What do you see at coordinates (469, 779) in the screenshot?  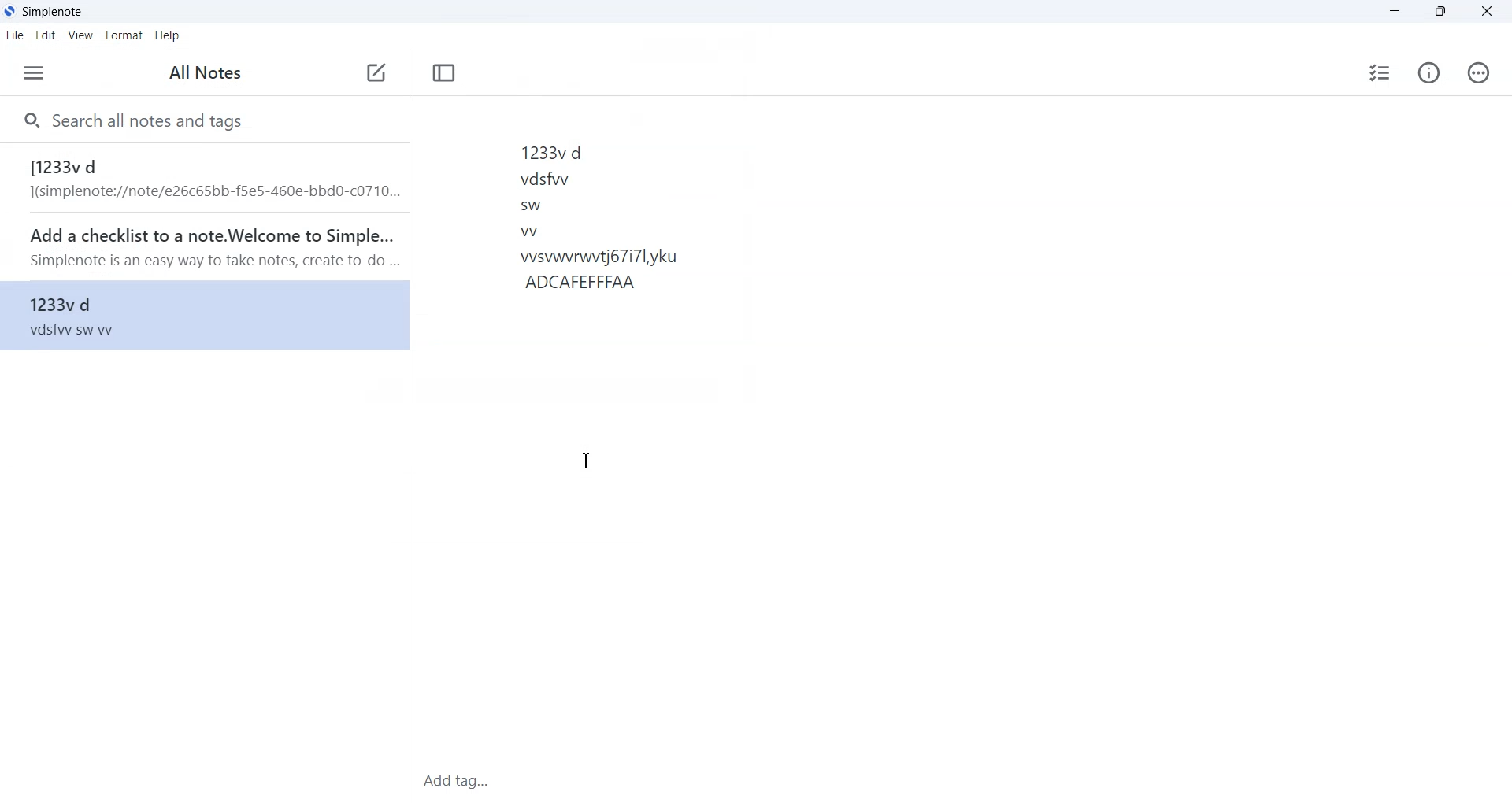 I see `Add tag...` at bounding box center [469, 779].